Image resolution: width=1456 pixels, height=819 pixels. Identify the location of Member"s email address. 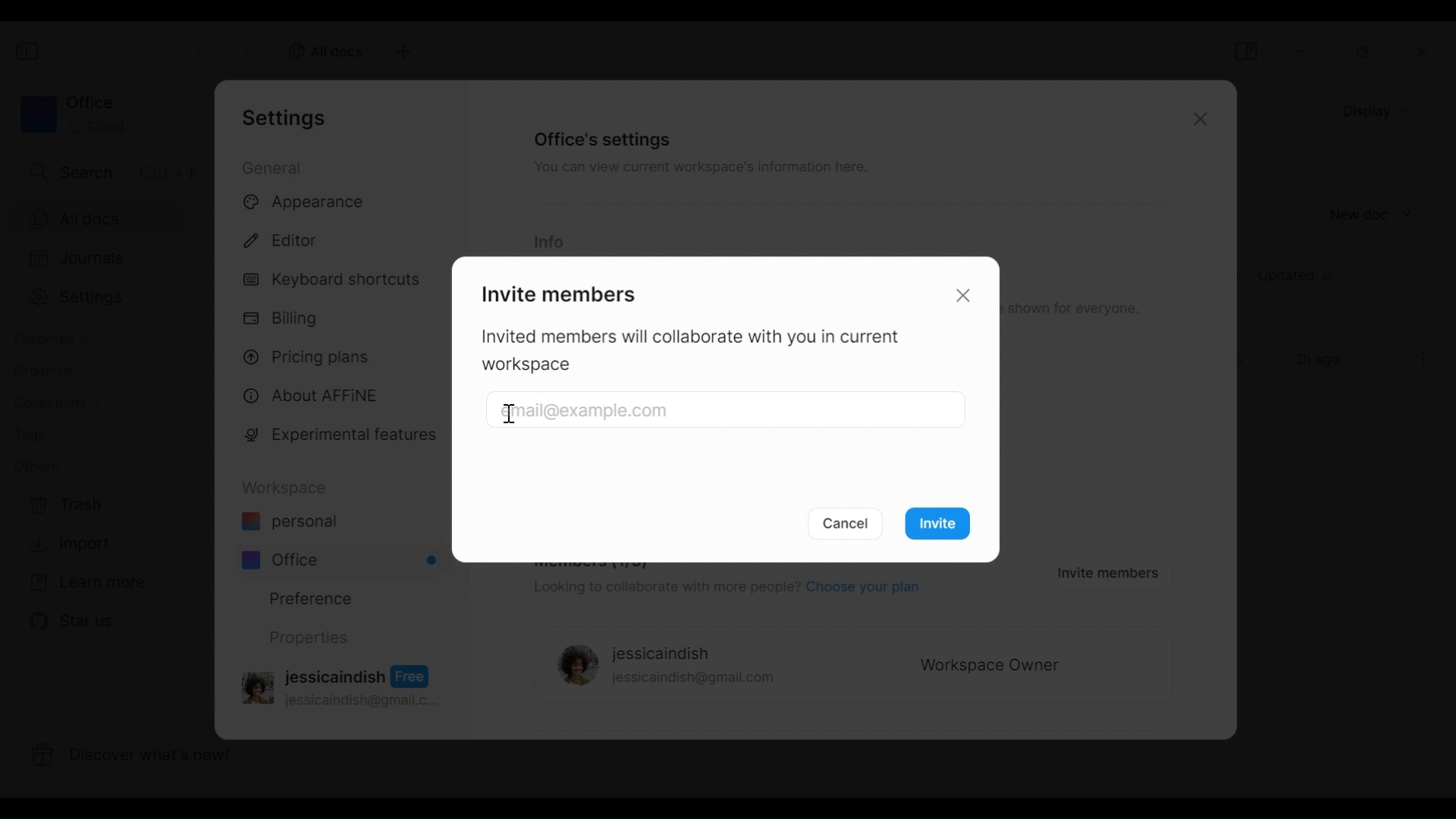
(729, 411).